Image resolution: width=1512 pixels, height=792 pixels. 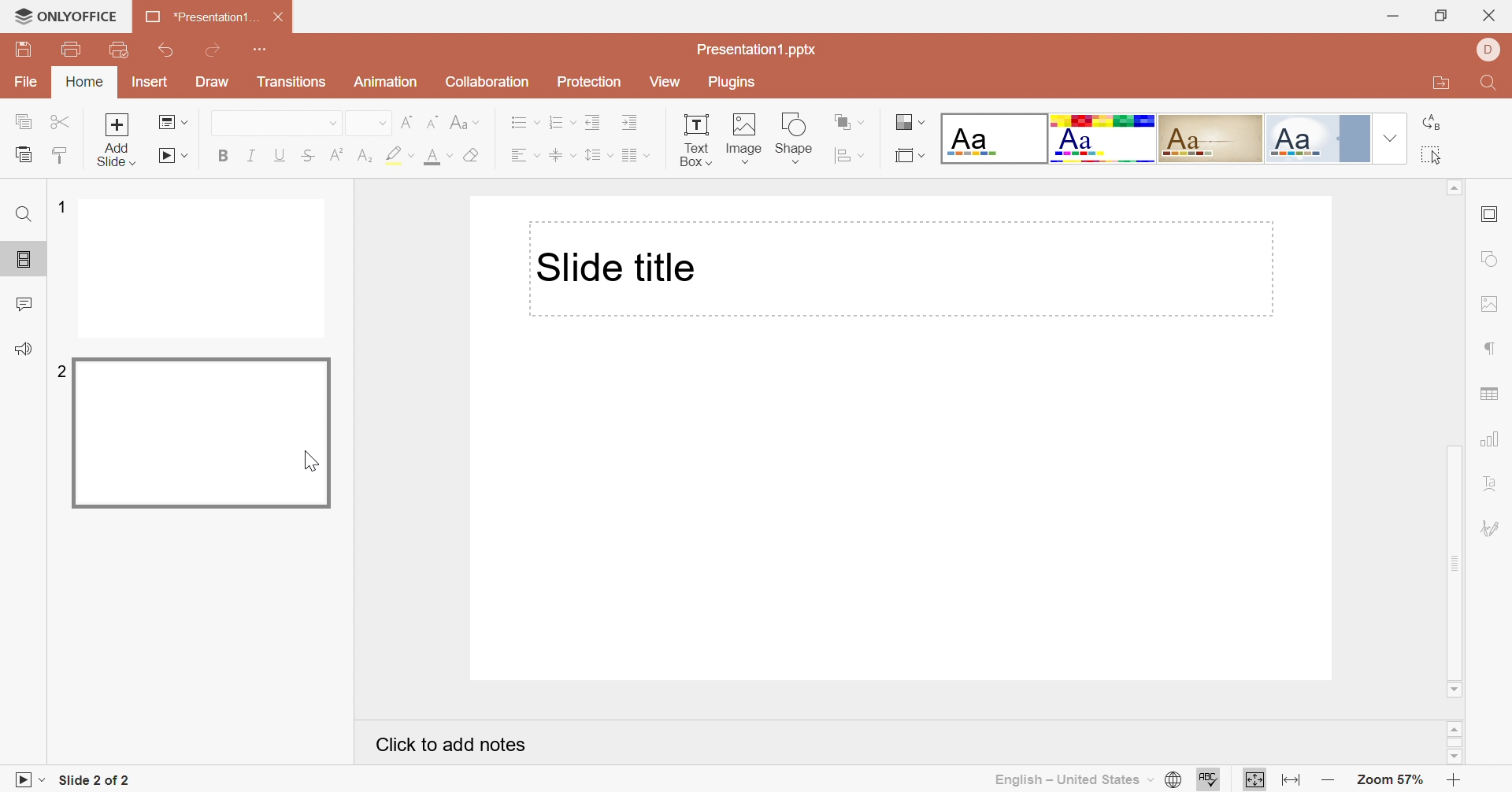 I want to click on Text Art settings, so click(x=1492, y=483).